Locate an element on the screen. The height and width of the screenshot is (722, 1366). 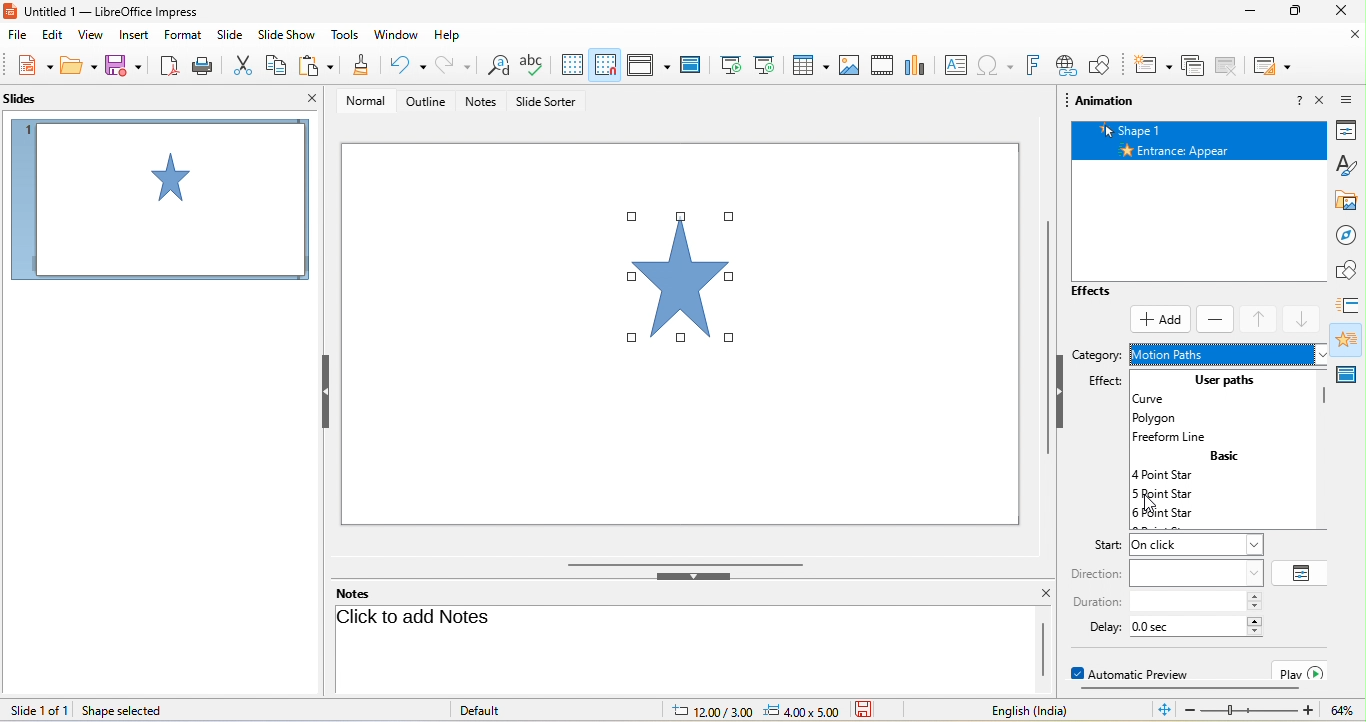
selected diagram is located at coordinates (689, 281).